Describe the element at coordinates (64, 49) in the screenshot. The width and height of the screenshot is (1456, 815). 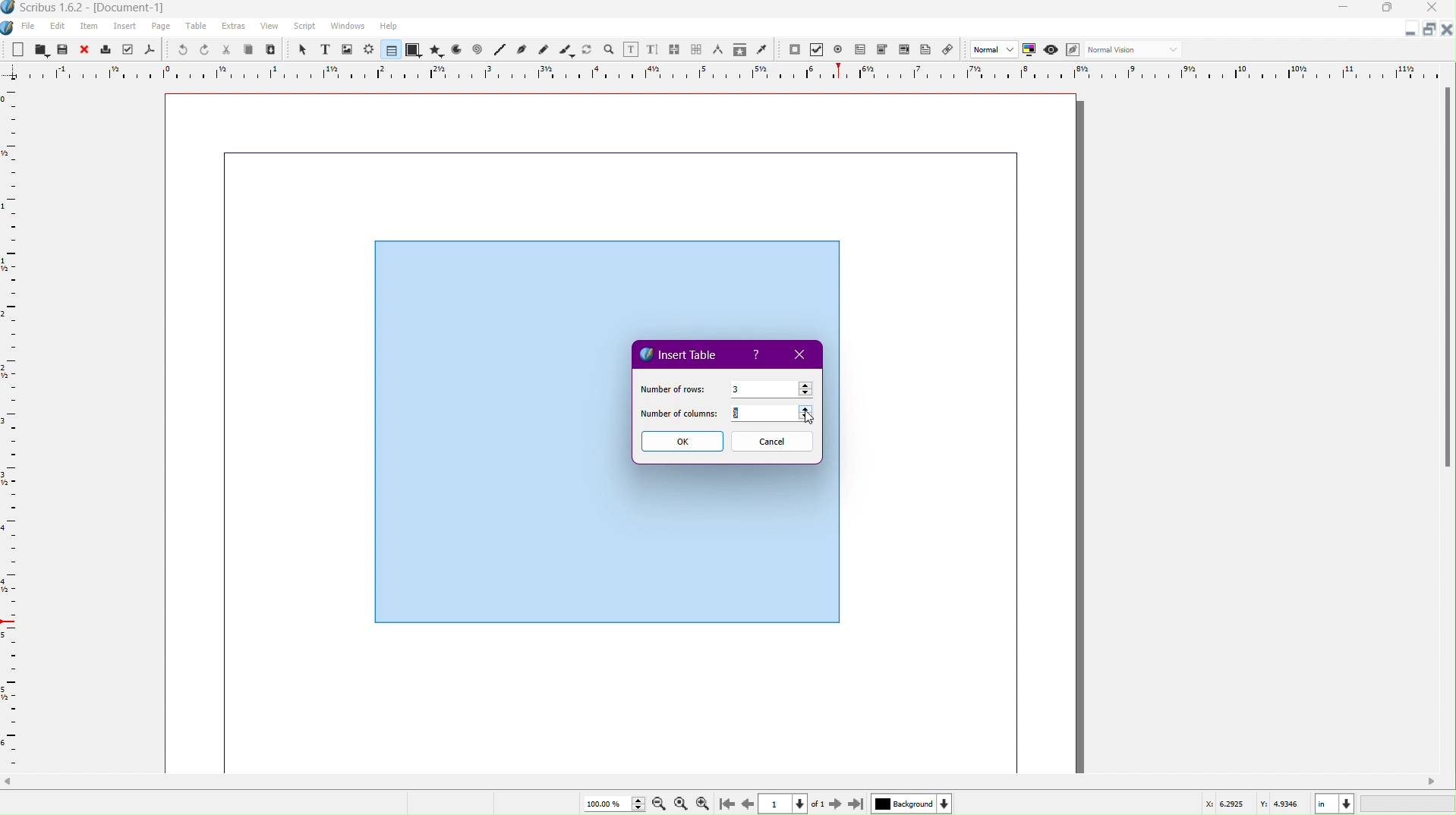
I see `Save` at that location.